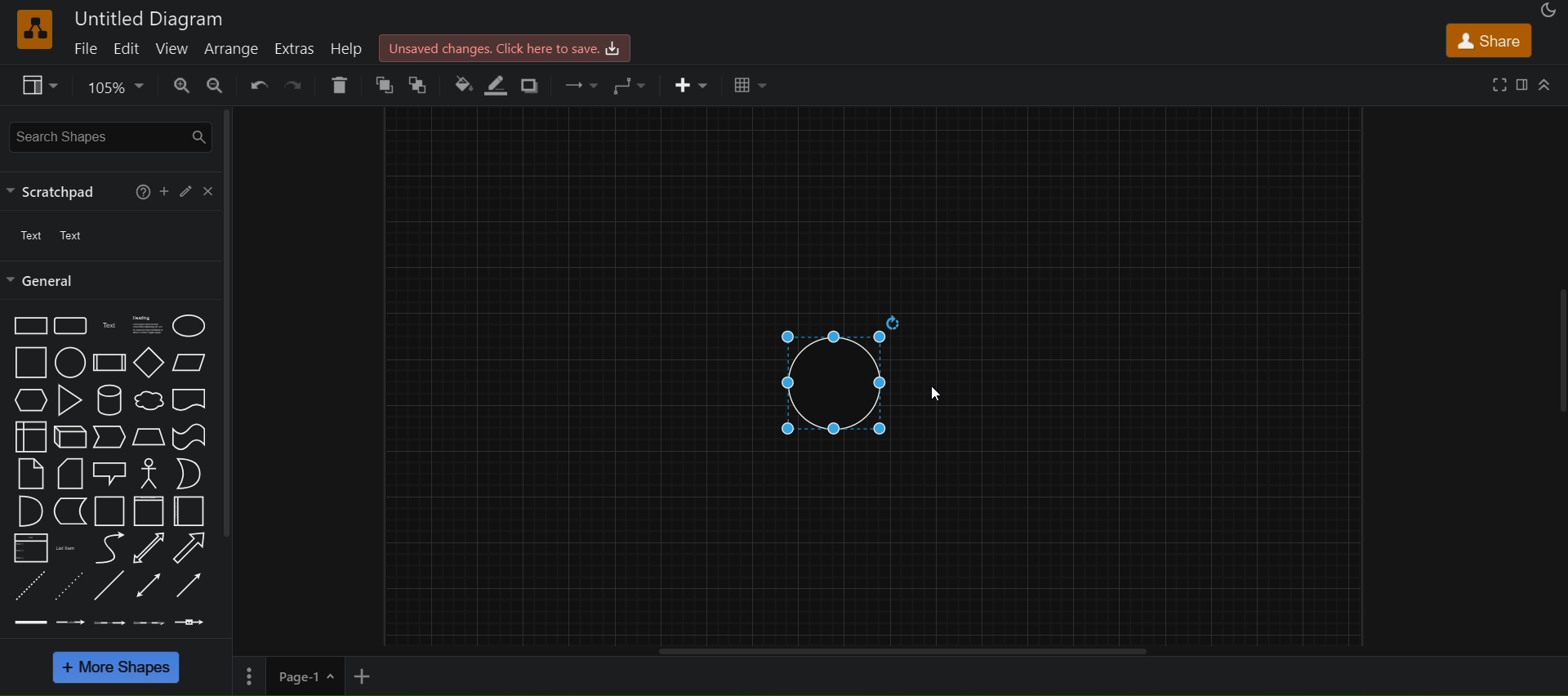 The height and width of the screenshot is (696, 1568). What do you see at coordinates (146, 361) in the screenshot?
I see `diamond` at bounding box center [146, 361].